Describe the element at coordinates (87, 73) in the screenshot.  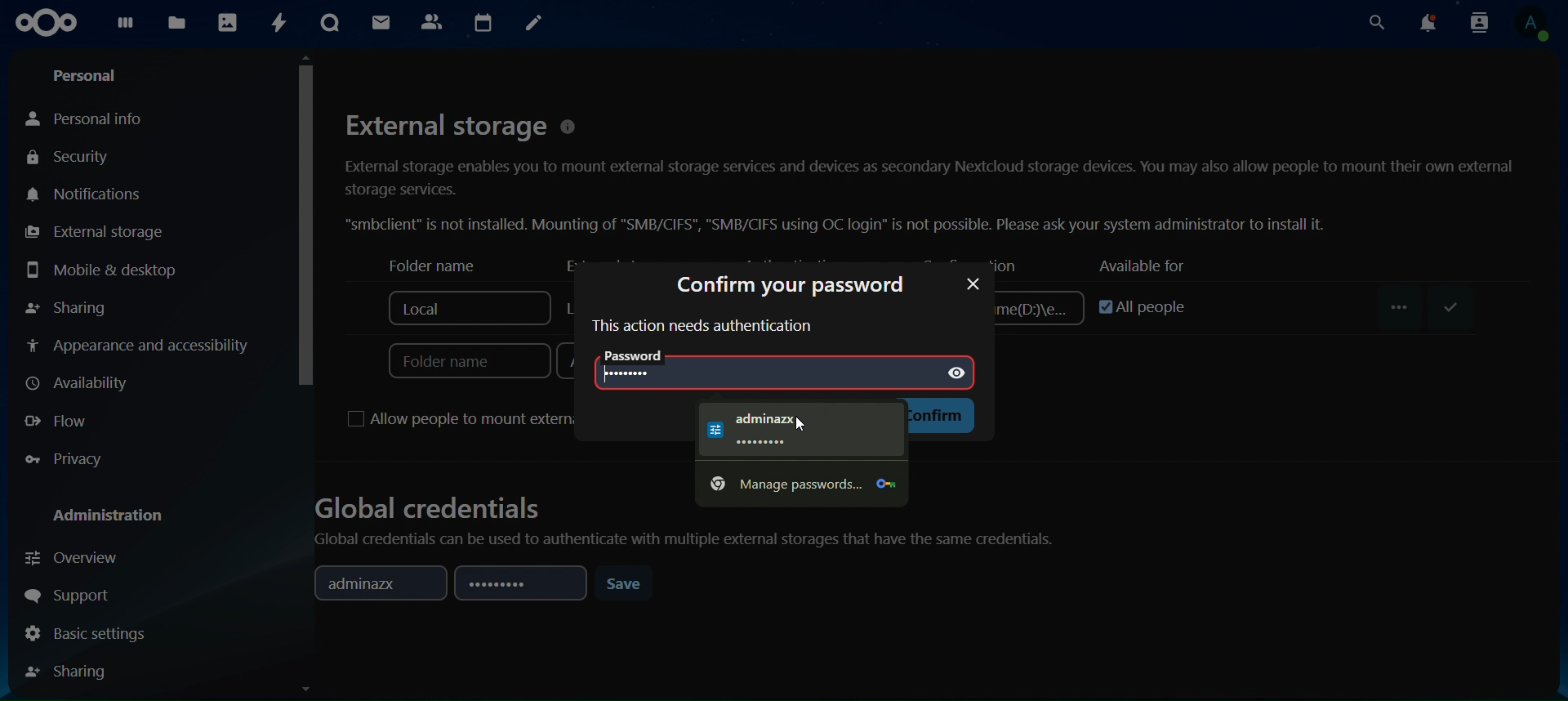
I see `personal` at that location.